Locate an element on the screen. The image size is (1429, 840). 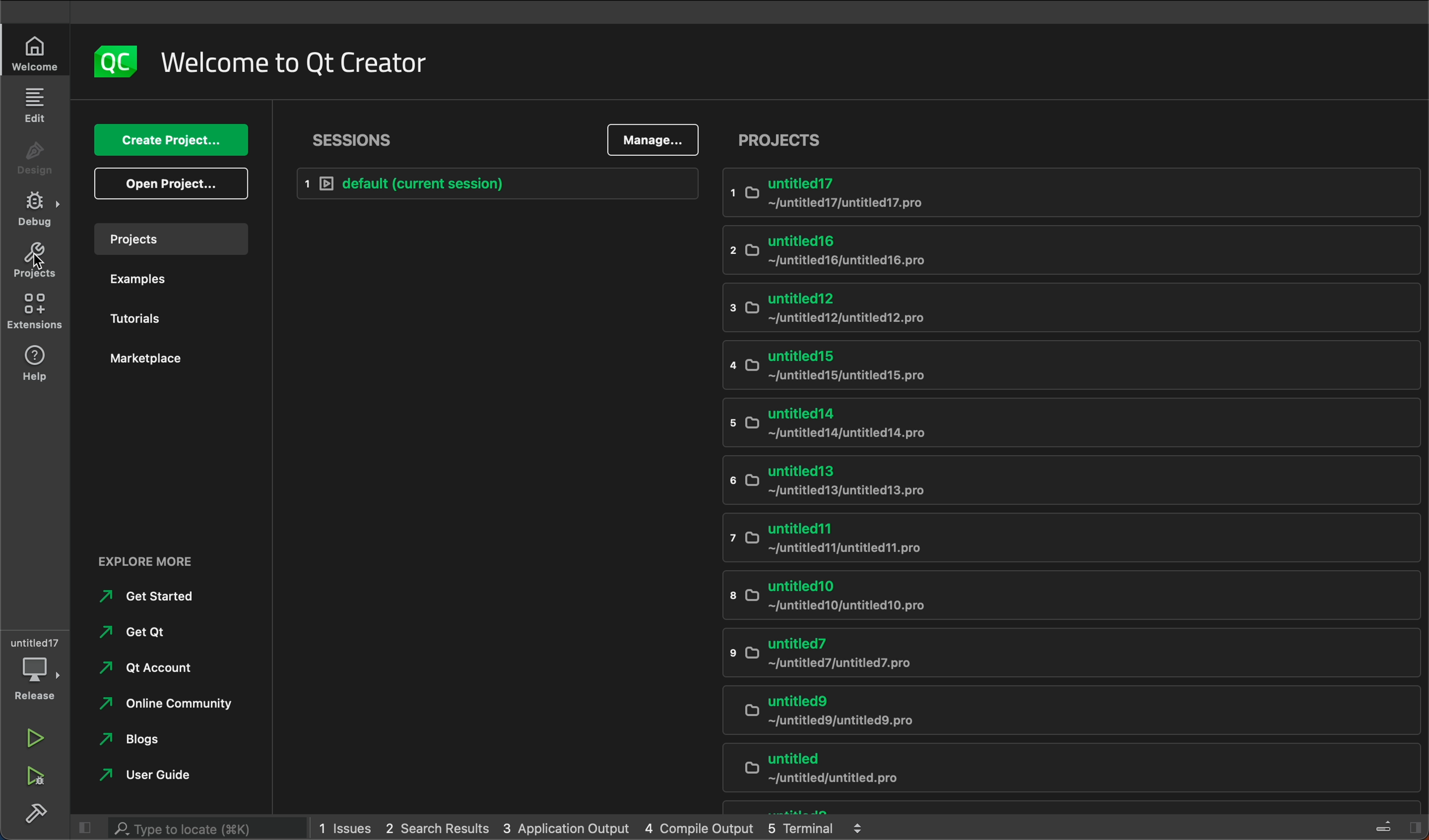
extensions is located at coordinates (37, 313).